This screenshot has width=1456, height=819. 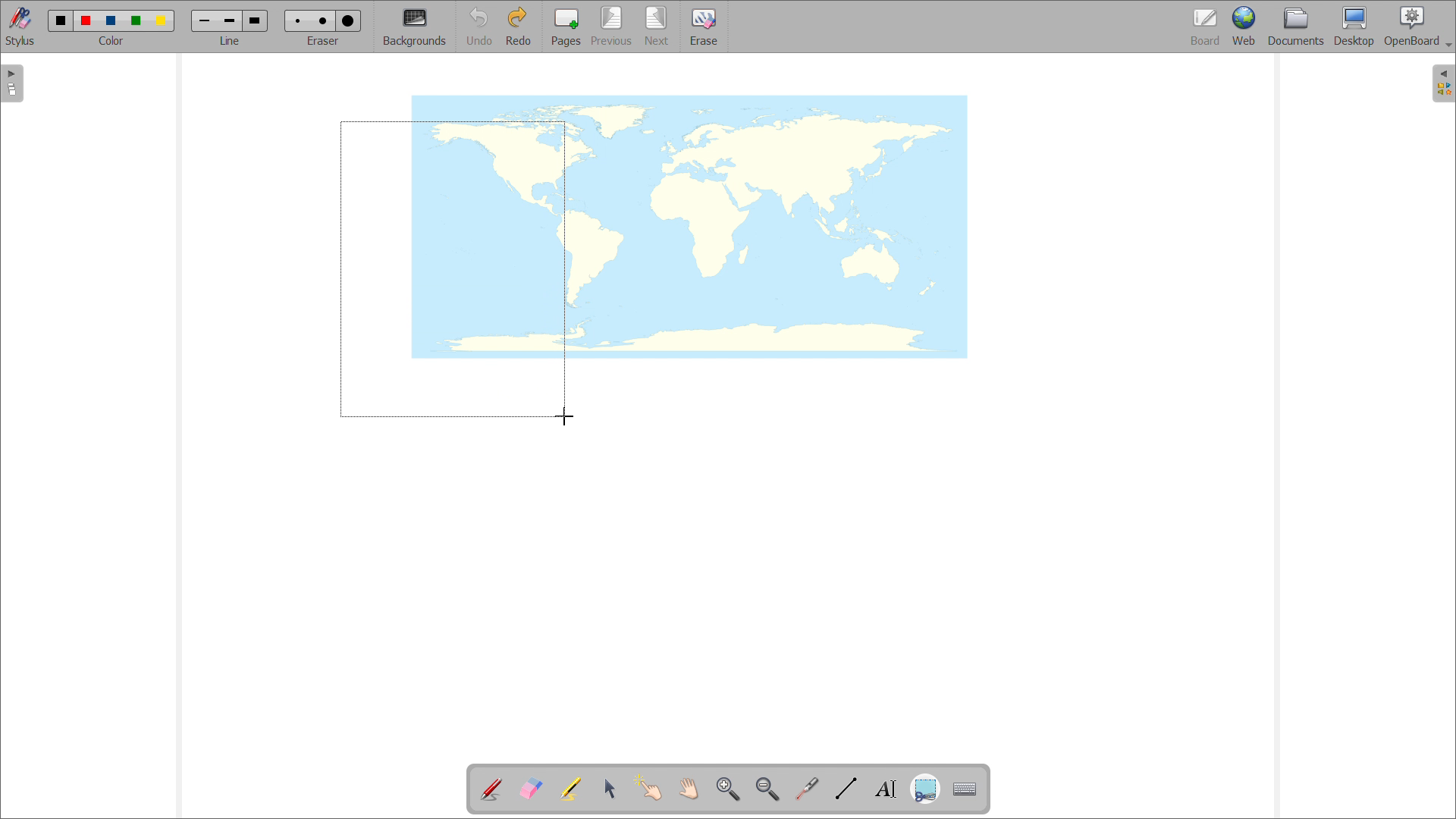 What do you see at coordinates (657, 26) in the screenshot?
I see `next page` at bounding box center [657, 26].